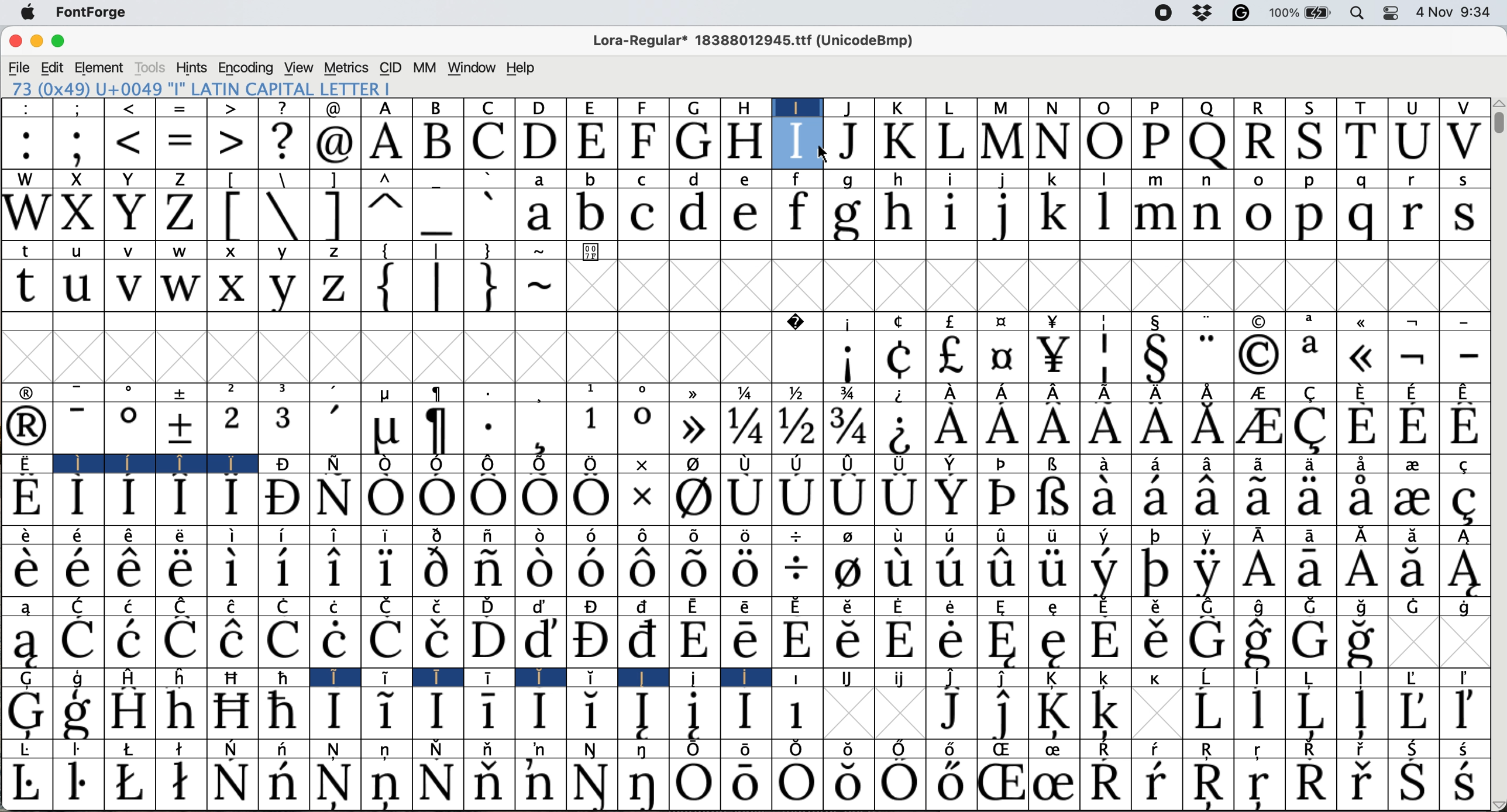 This screenshot has height=812, width=1507. I want to click on Symbol, so click(643, 713).